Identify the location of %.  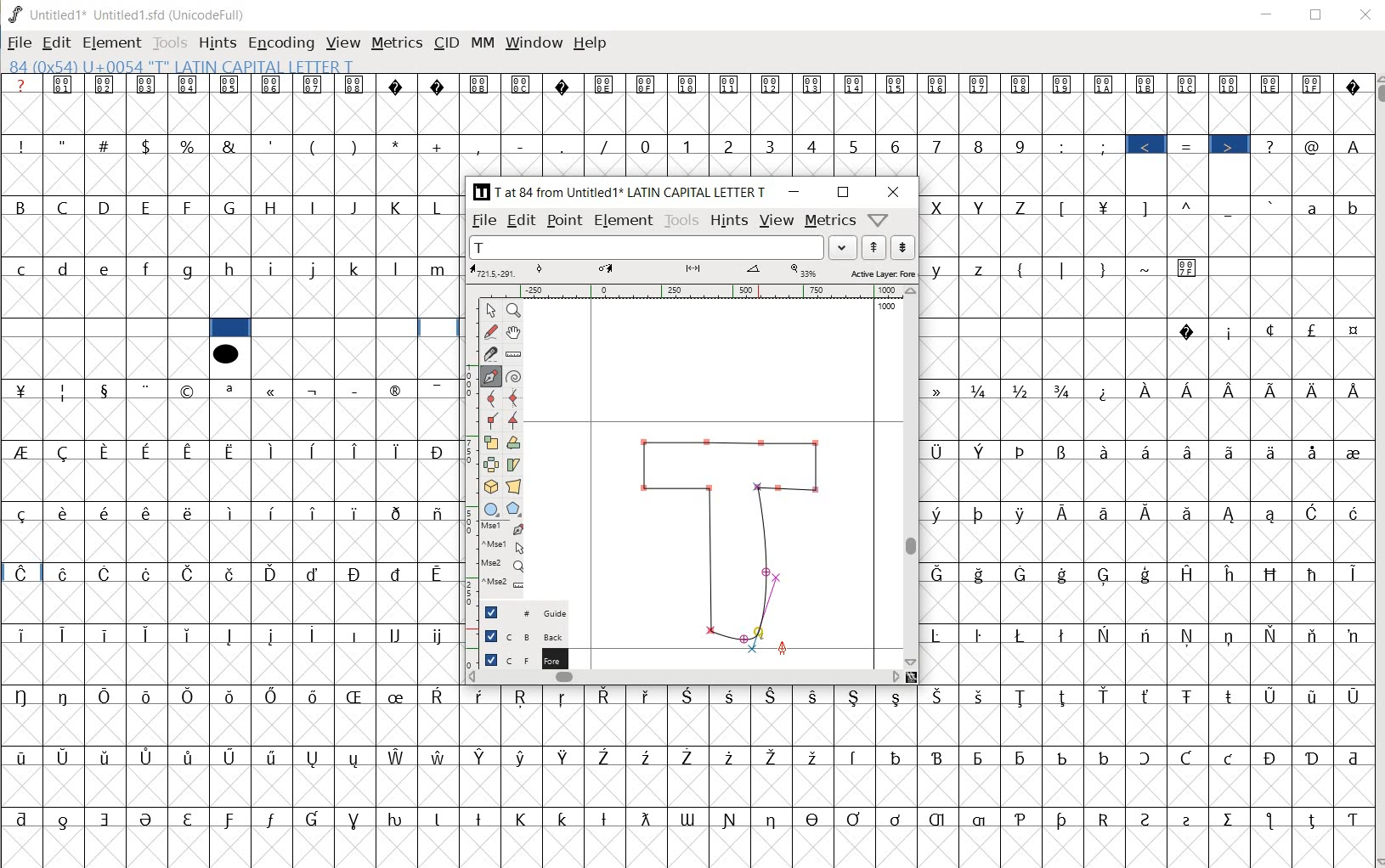
(189, 145).